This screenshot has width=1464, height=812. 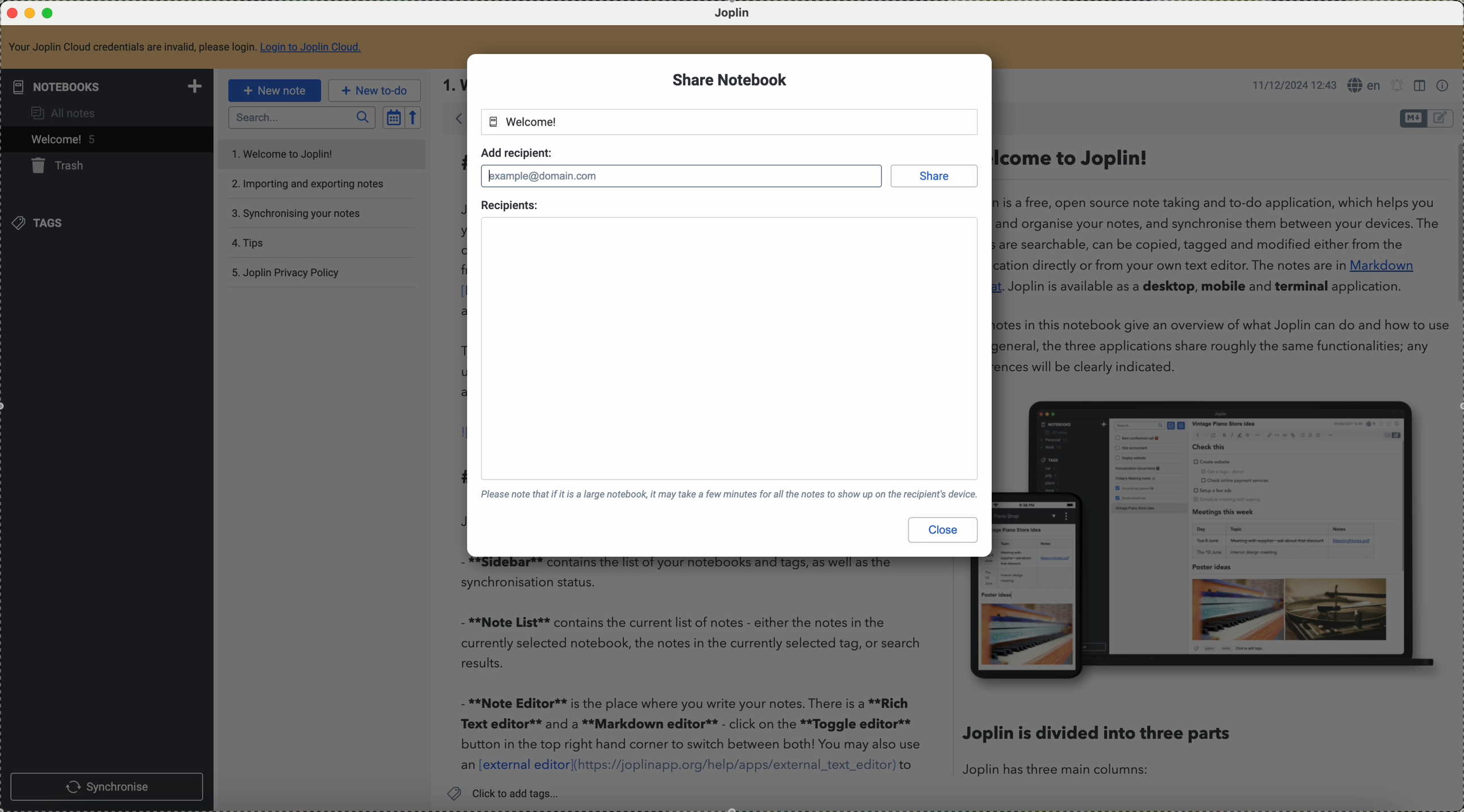 What do you see at coordinates (110, 86) in the screenshot?
I see `notebooks` at bounding box center [110, 86].